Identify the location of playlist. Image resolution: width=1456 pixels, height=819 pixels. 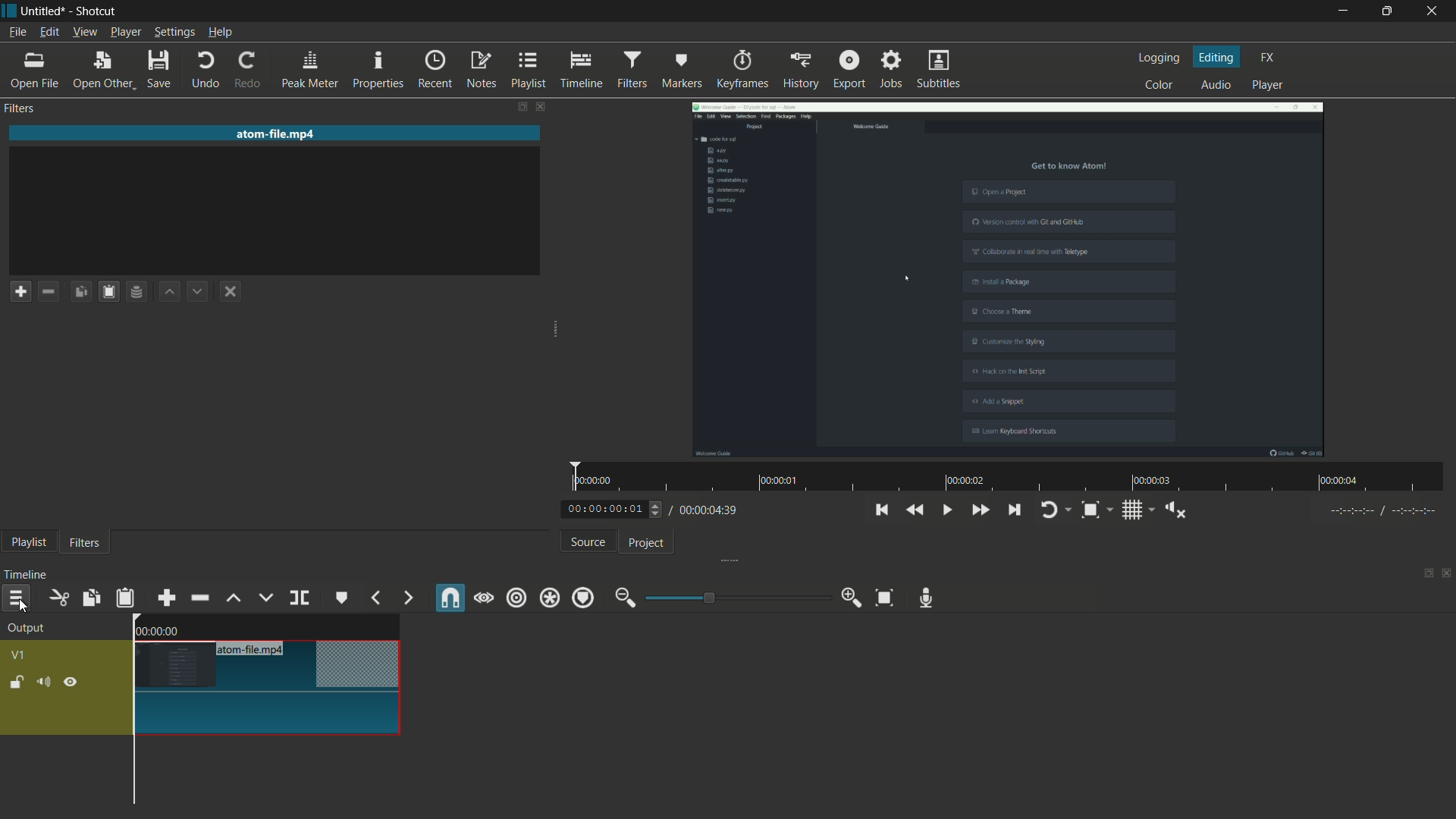
(29, 542).